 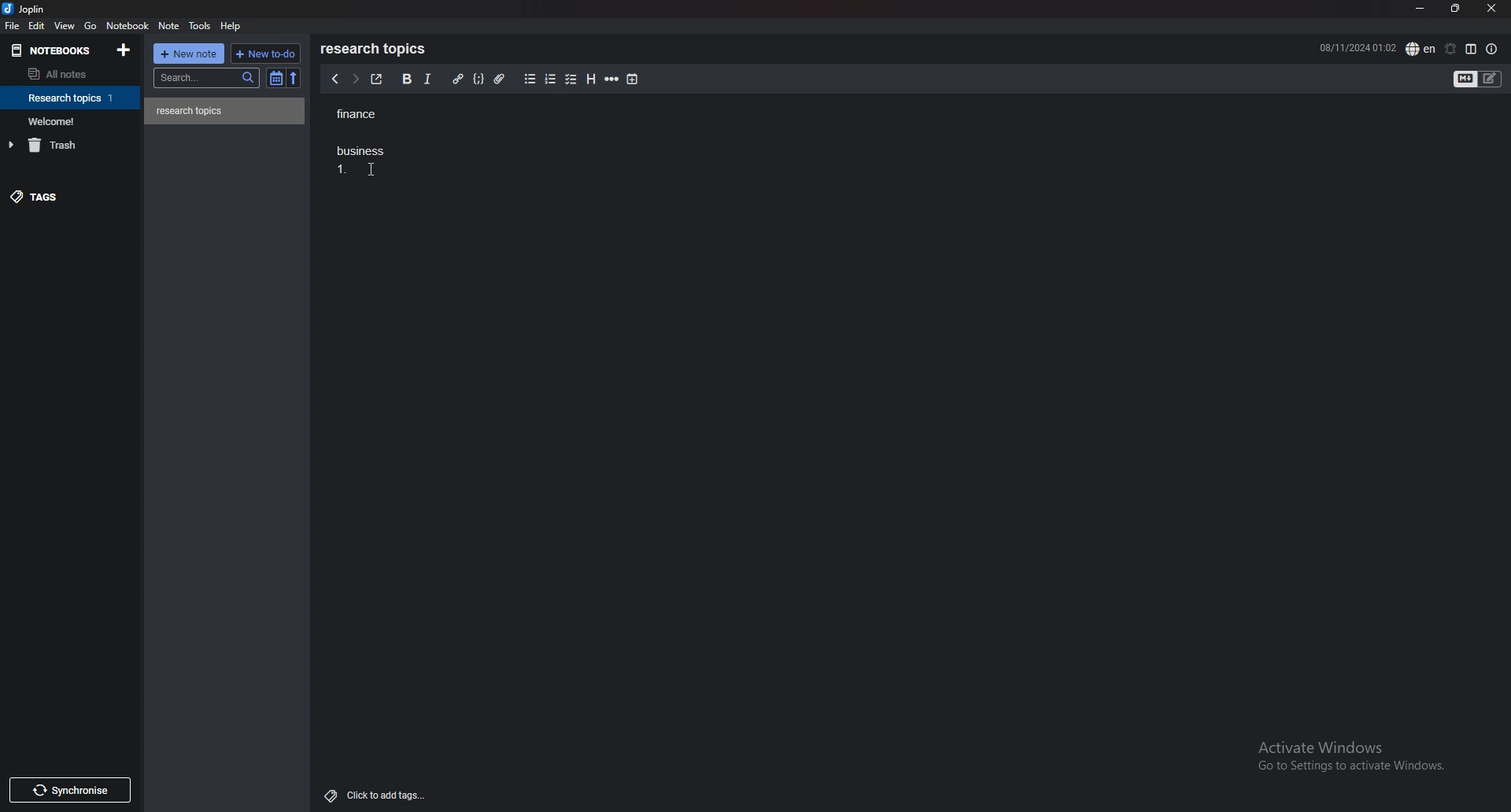 What do you see at coordinates (633, 79) in the screenshot?
I see `add time` at bounding box center [633, 79].